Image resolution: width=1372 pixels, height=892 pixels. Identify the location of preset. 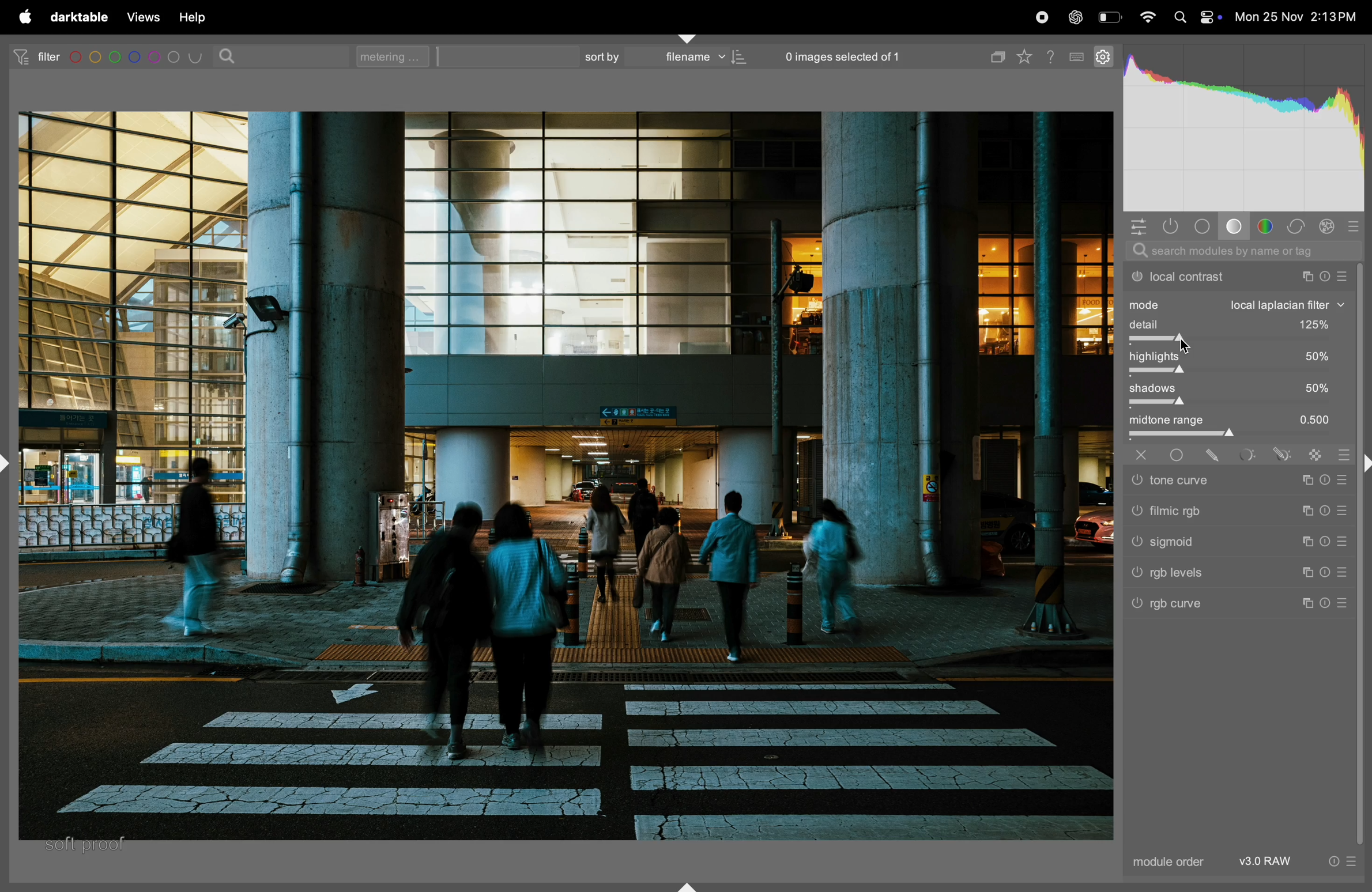
(1339, 543).